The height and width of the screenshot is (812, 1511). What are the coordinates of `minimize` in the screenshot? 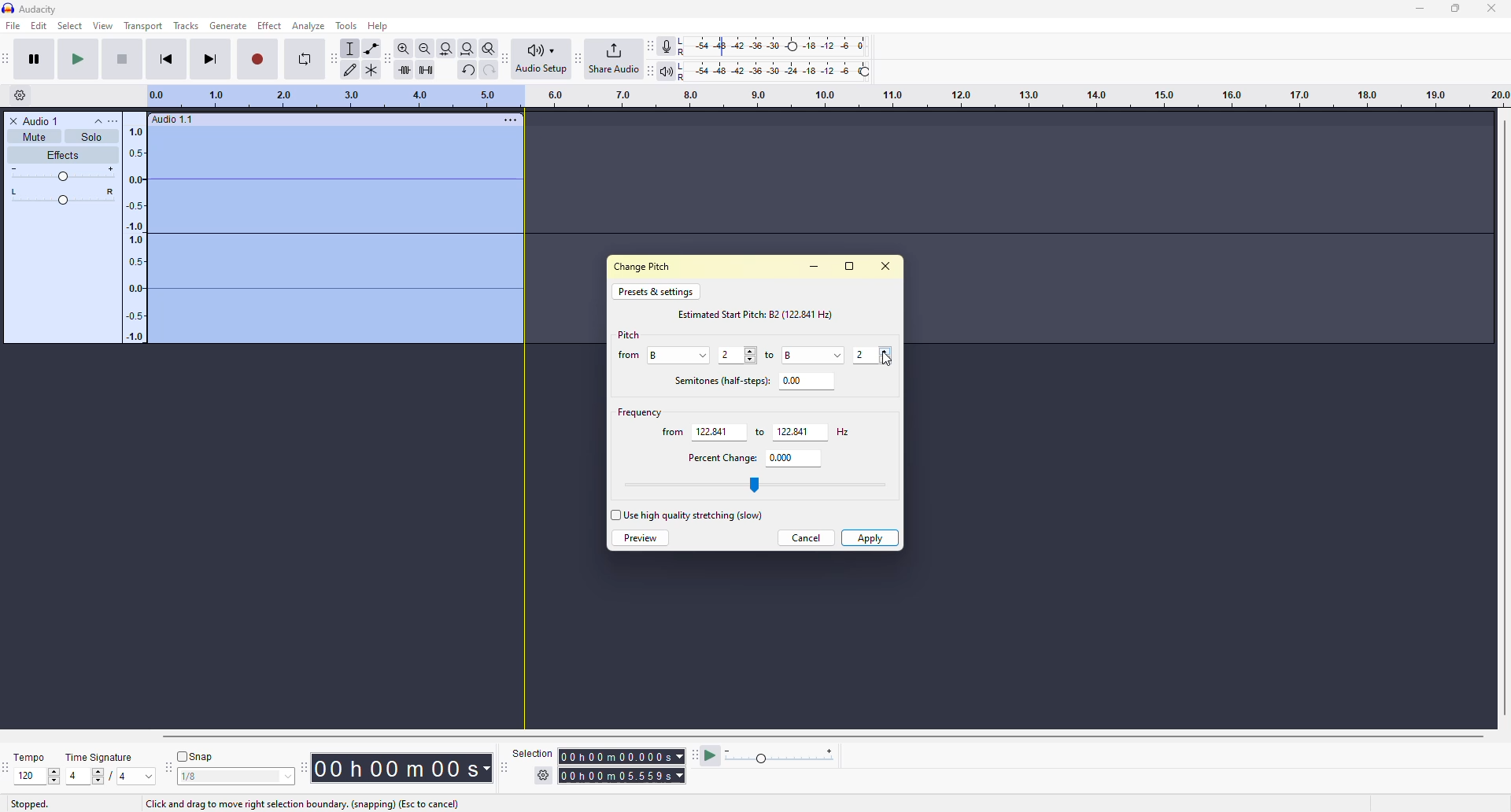 It's located at (814, 265).